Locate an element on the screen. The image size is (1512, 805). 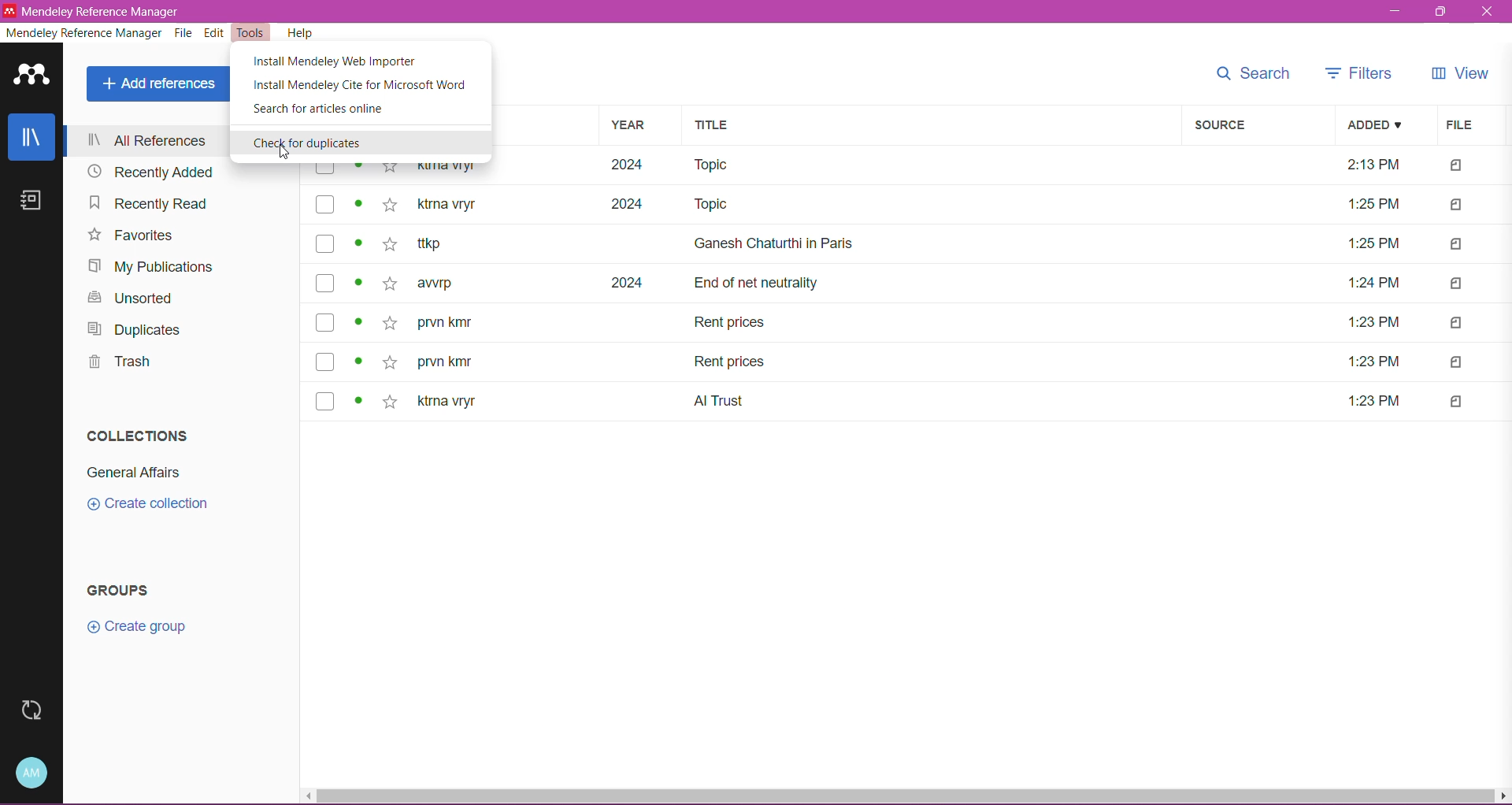
Application Logo is located at coordinates (31, 76).